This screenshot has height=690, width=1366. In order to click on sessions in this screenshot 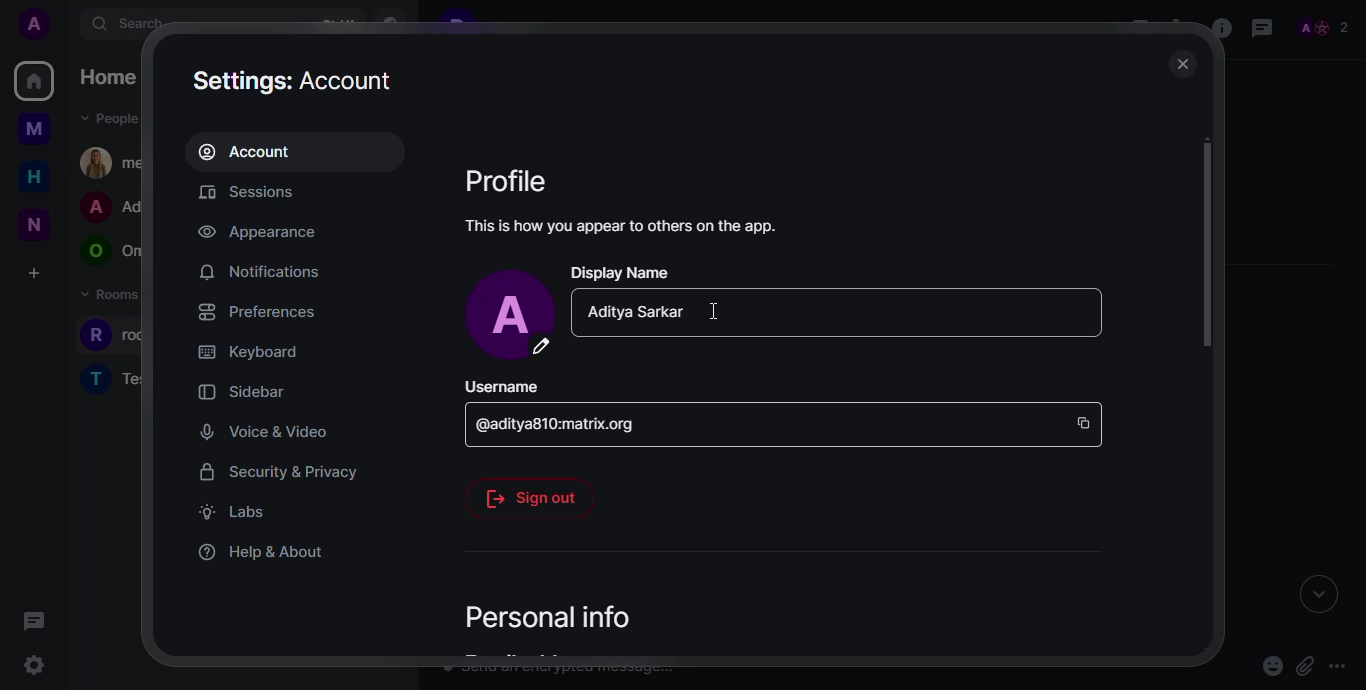, I will do `click(258, 194)`.